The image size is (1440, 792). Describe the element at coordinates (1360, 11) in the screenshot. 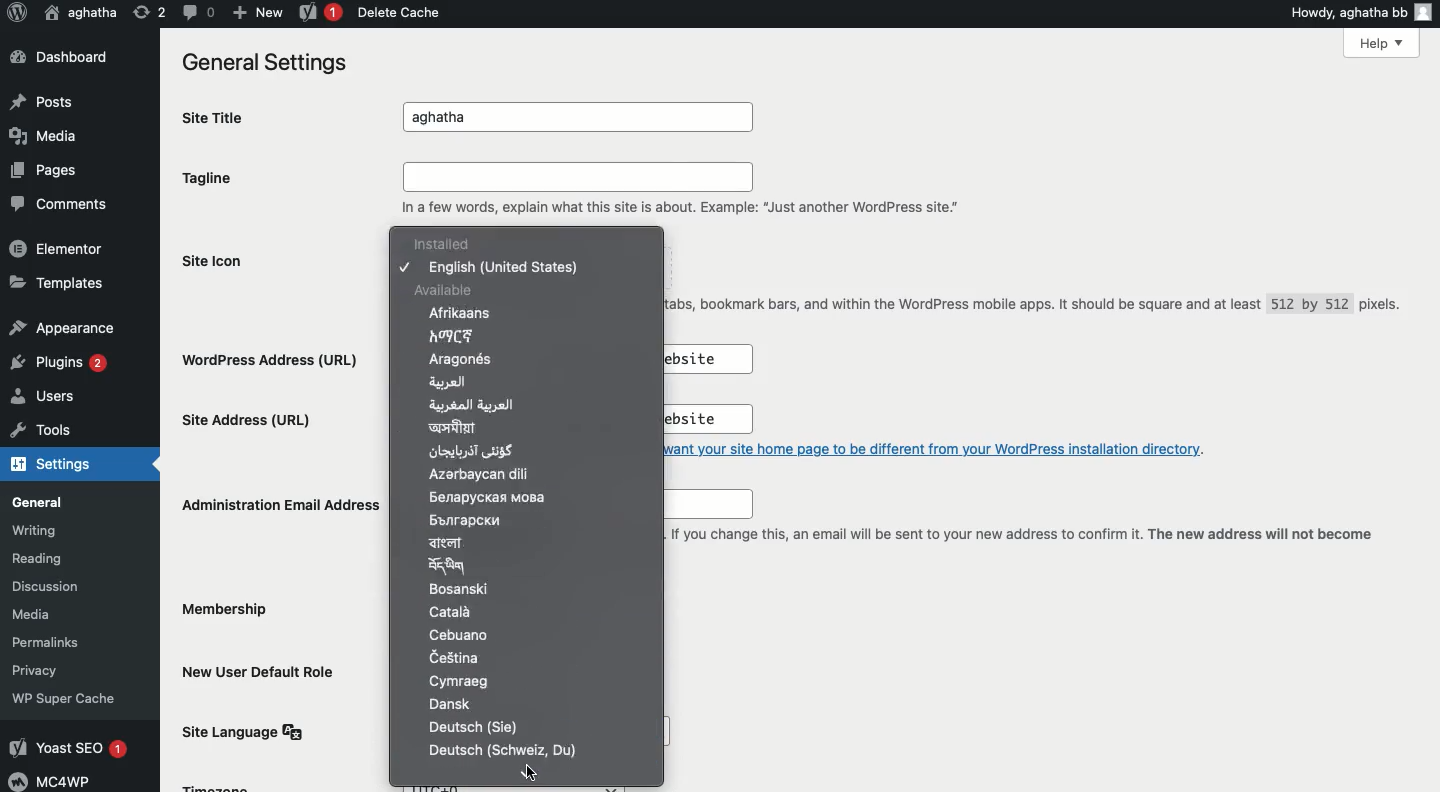

I see `Howdy, aghatha bb` at that location.